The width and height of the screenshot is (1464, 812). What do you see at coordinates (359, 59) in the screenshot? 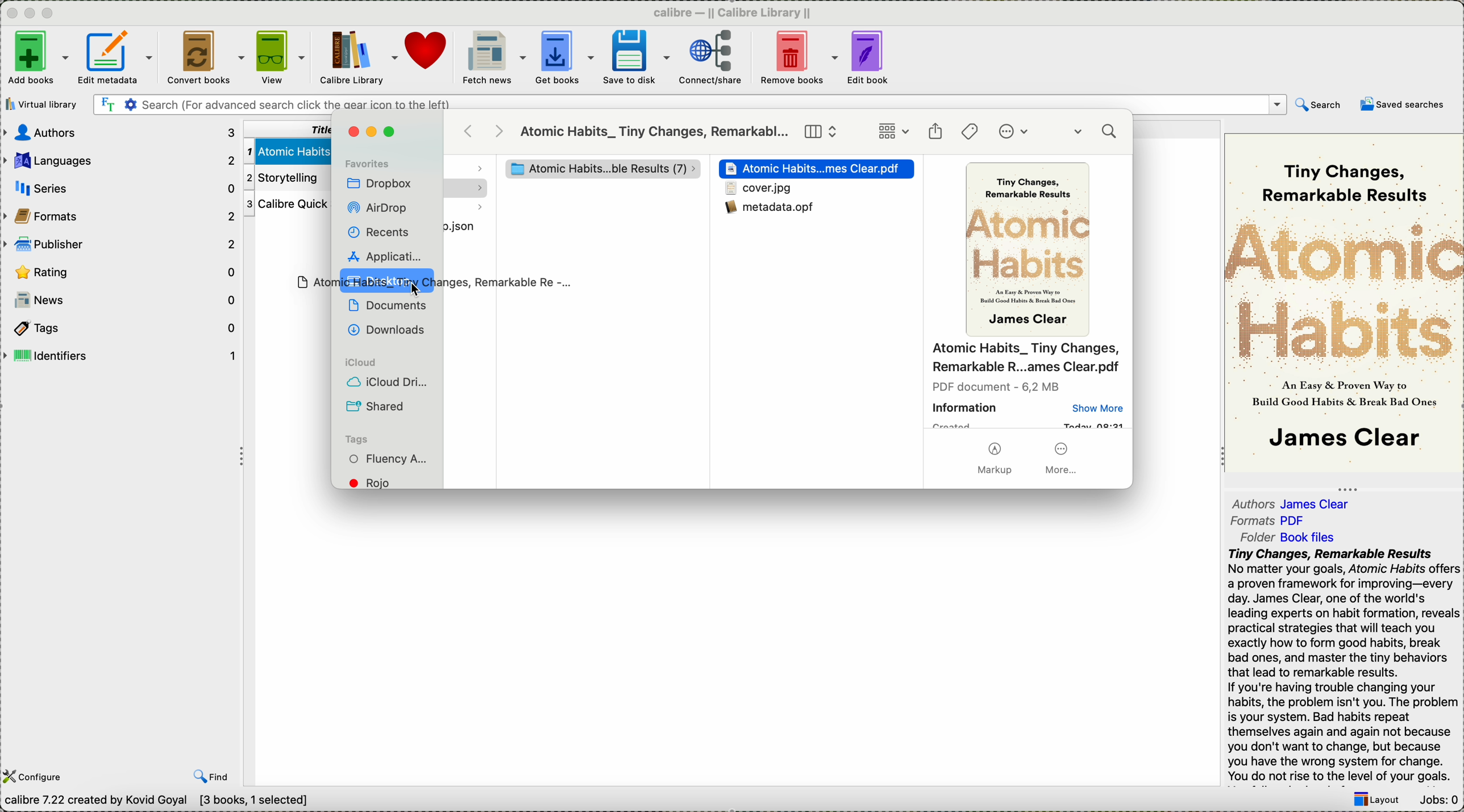
I see `calibre library` at bounding box center [359, 59].